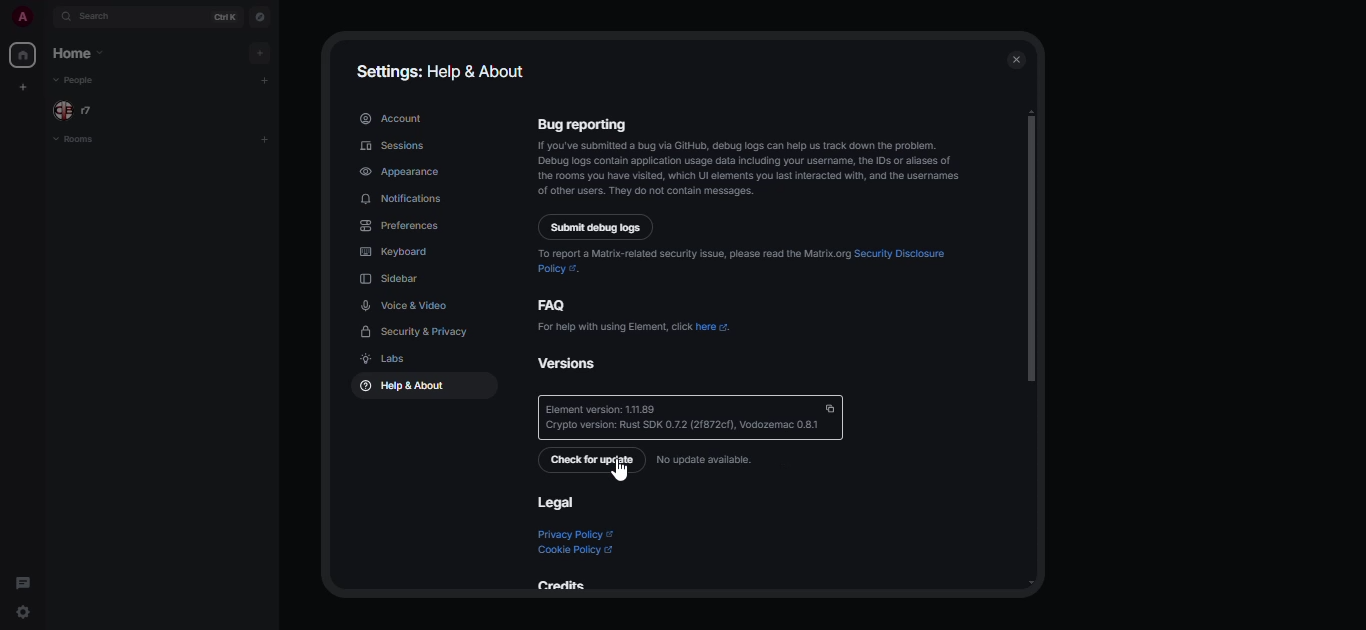  Describe the element at coordinates (259, 52) in the screenshot. I see `add` at that location.